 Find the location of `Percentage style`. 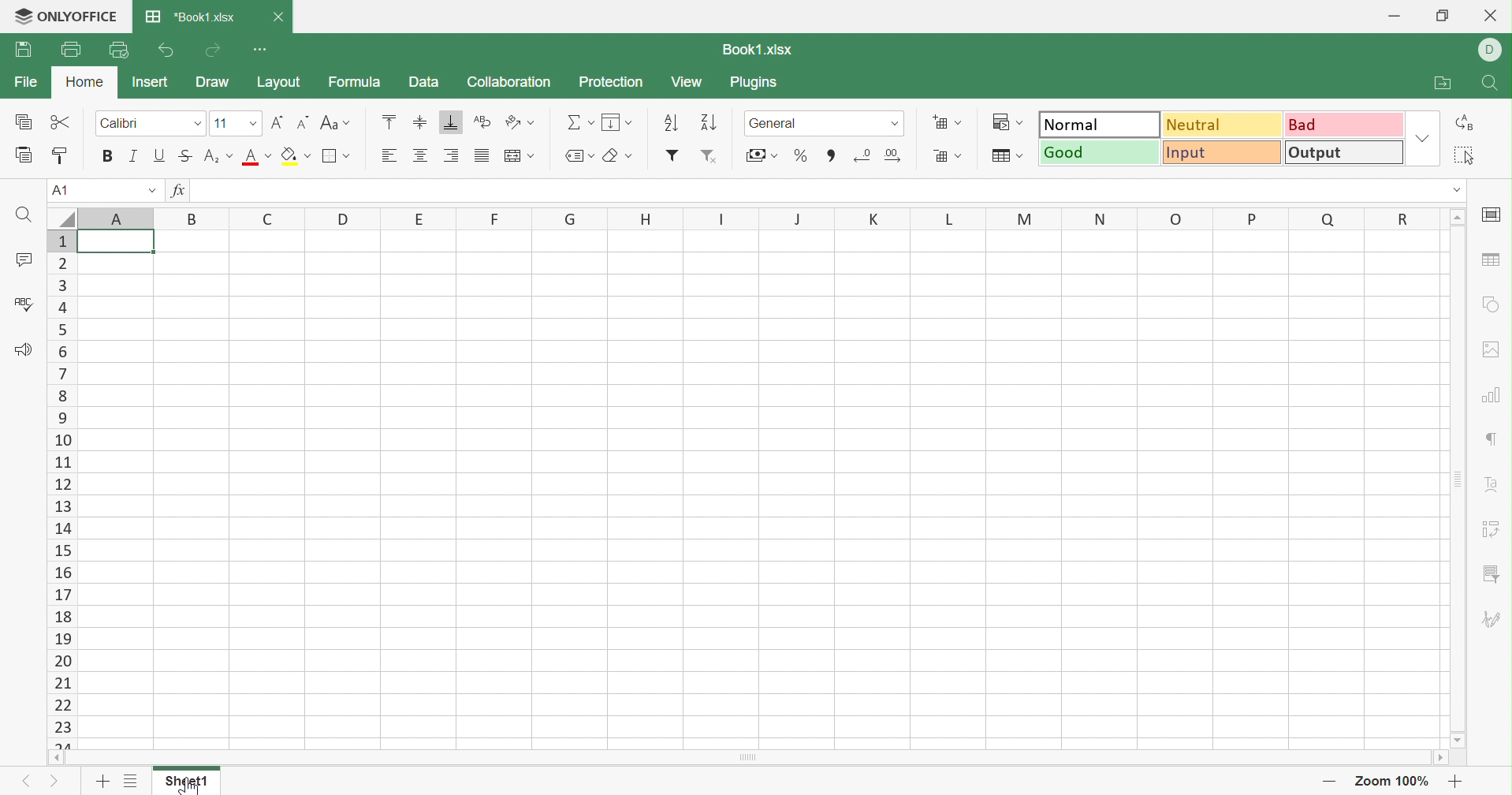

Percentage style is located at coordinates (803, 156).